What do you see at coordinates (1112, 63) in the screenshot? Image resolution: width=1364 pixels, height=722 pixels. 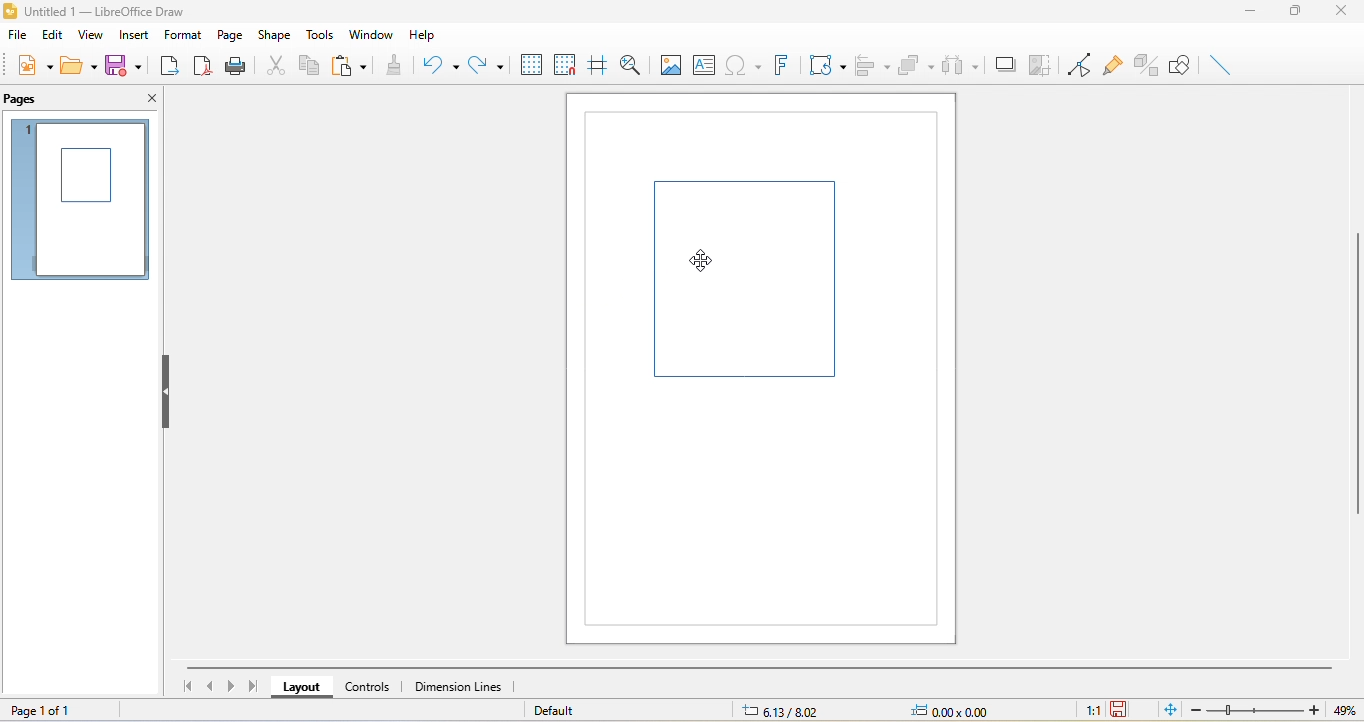 I see `glue point function` at bounding box center [1112, 63].